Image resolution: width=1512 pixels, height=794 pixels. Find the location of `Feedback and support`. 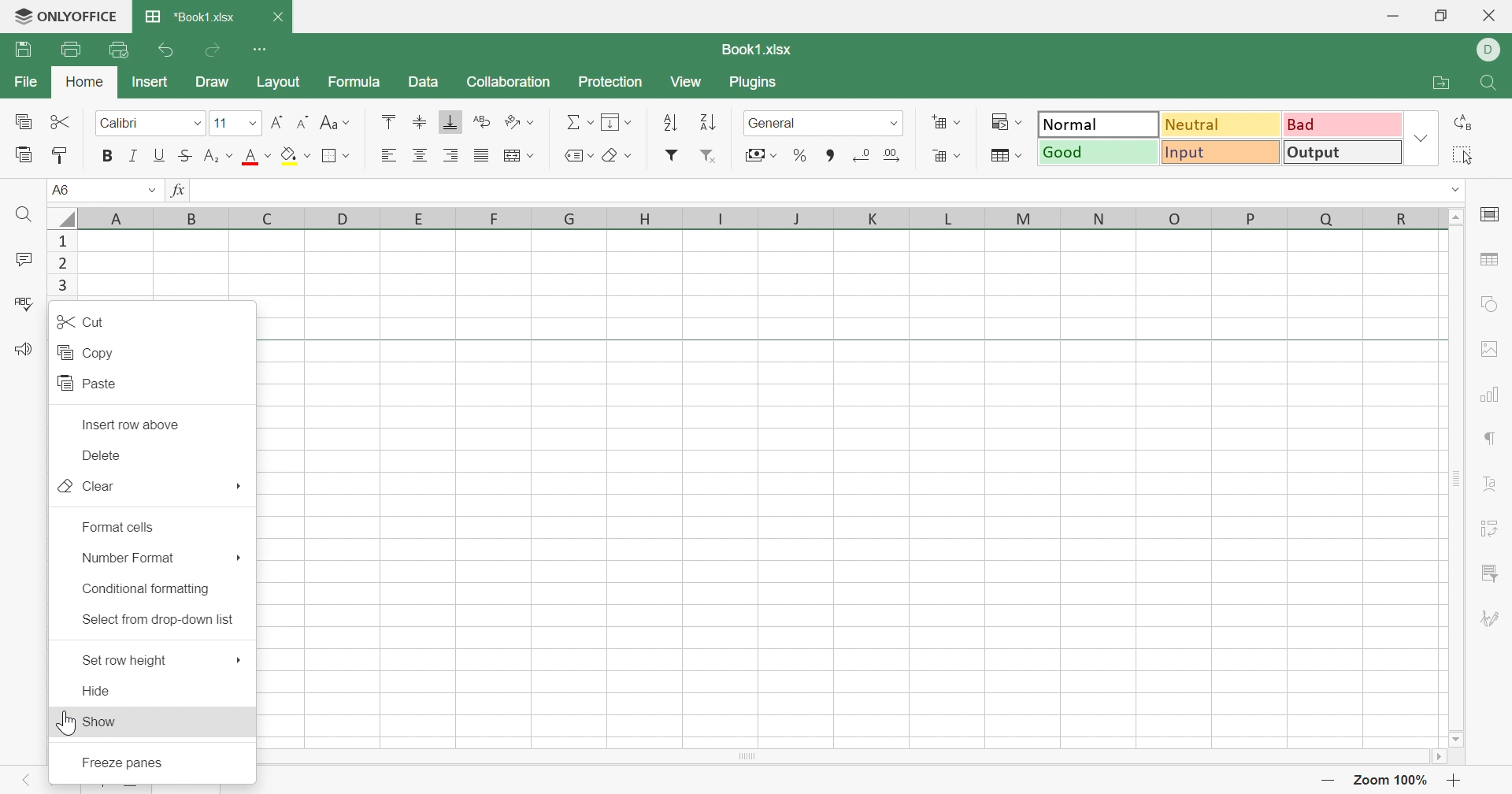

Feedback and support is located at coordinates (22, 351).